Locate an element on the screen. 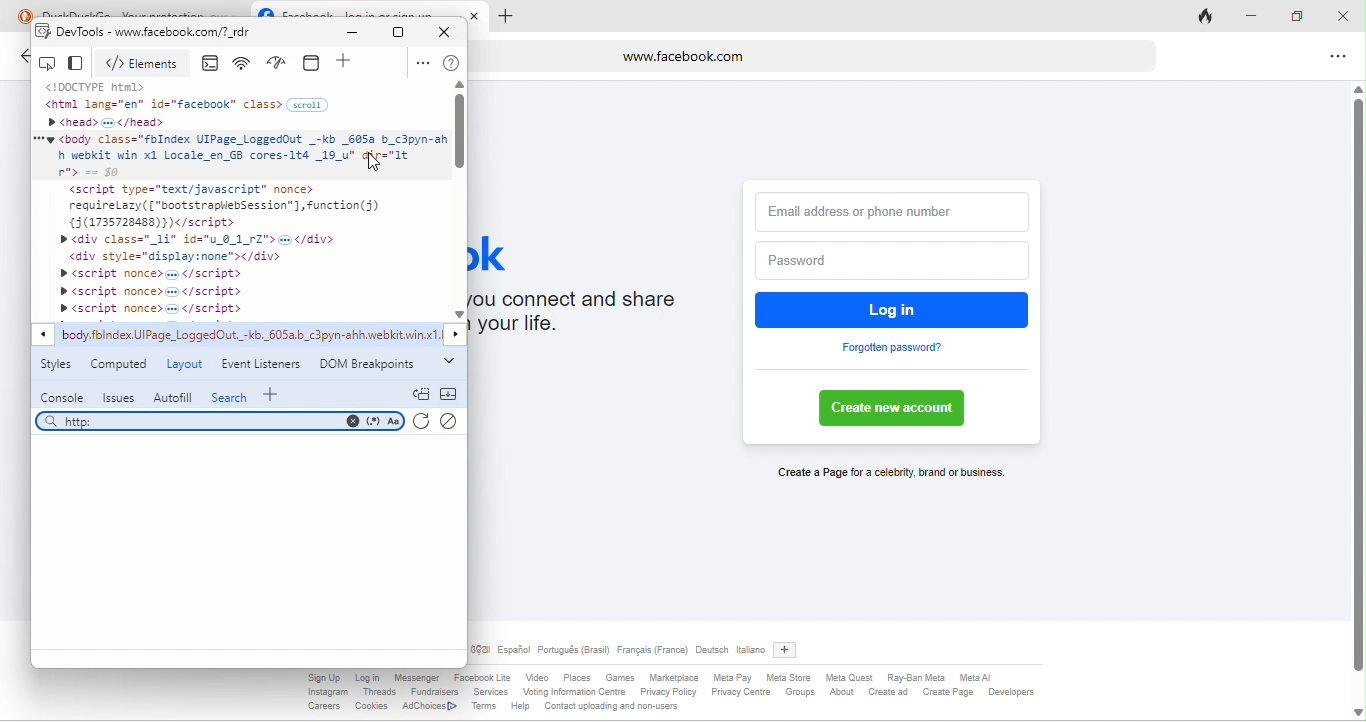 The width and height of the screenshot is (1366, 722). dev tools is located at coordinates (70, 34).